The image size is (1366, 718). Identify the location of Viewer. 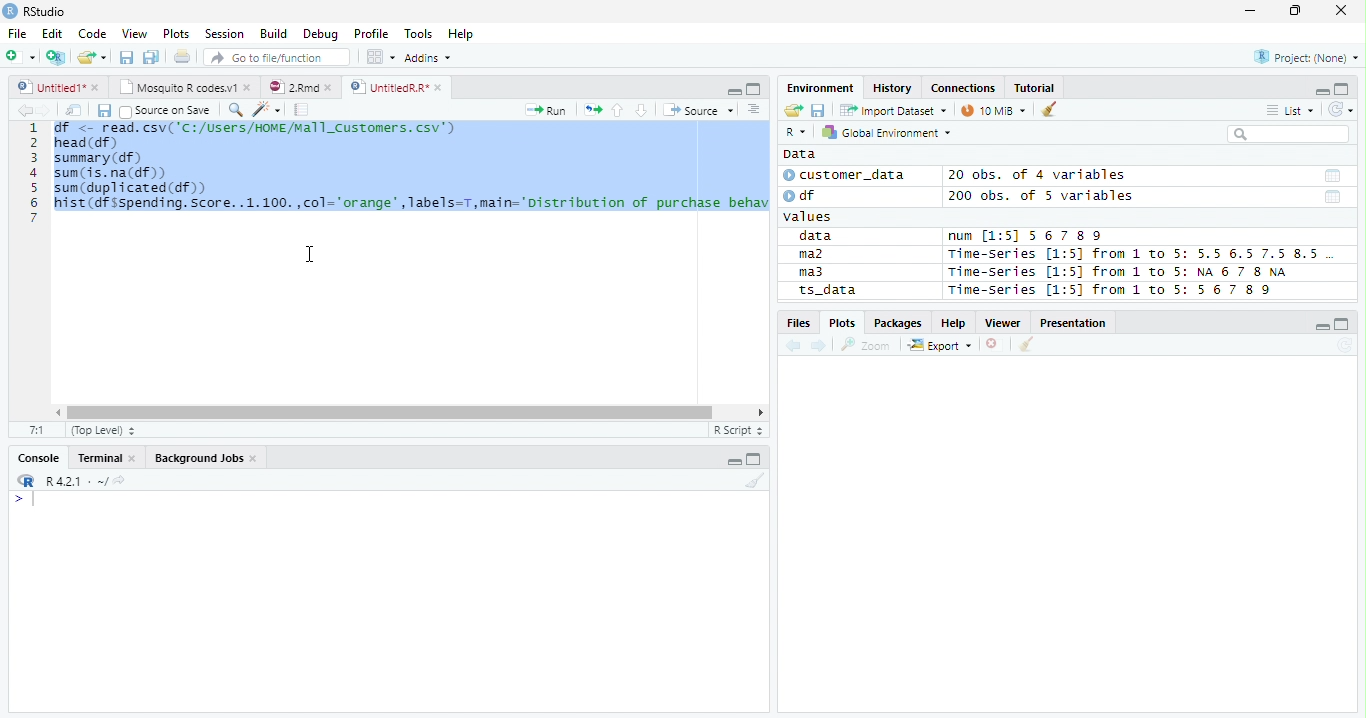
(1006, 323).